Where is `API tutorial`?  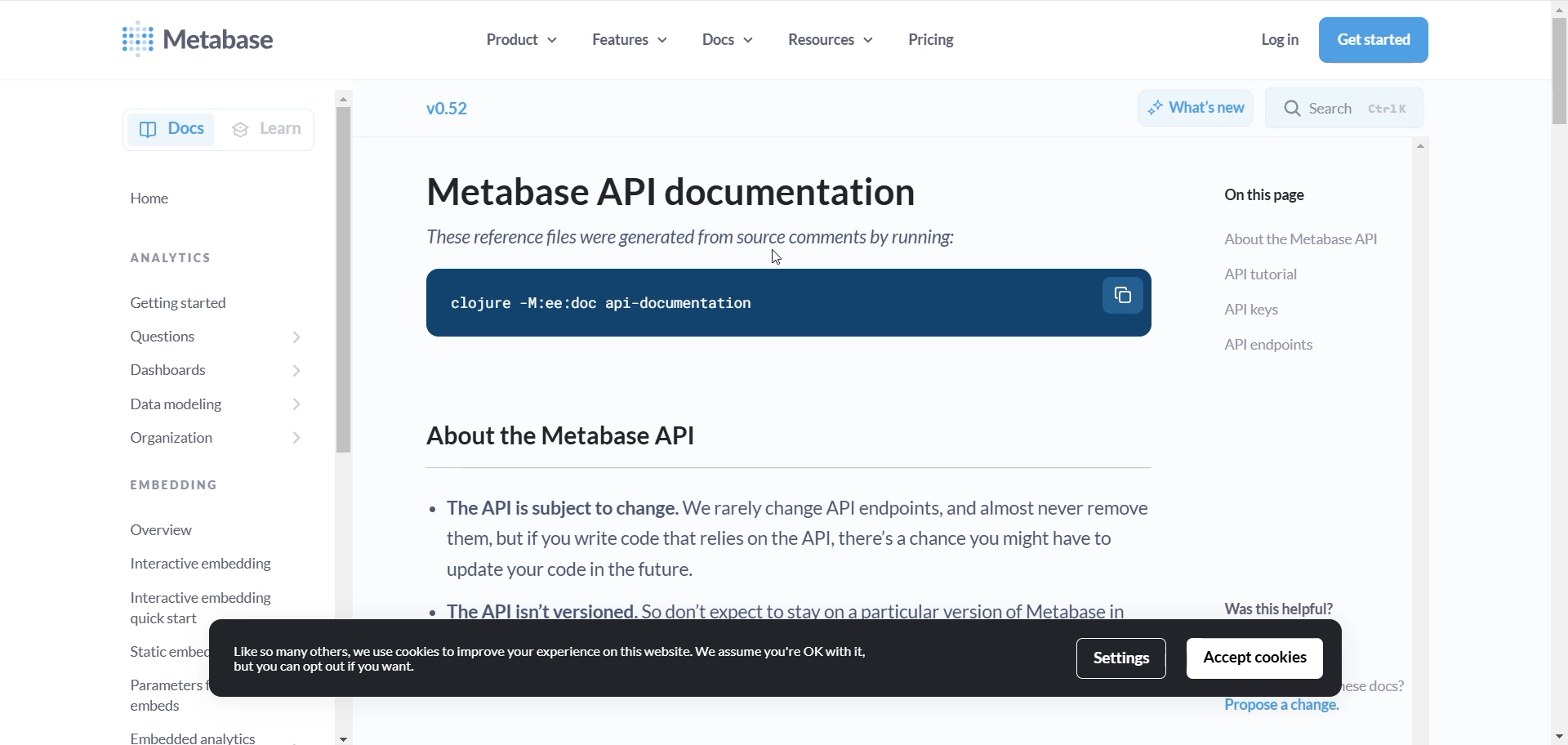
API tutorial is located at coordinates (1289, 274).